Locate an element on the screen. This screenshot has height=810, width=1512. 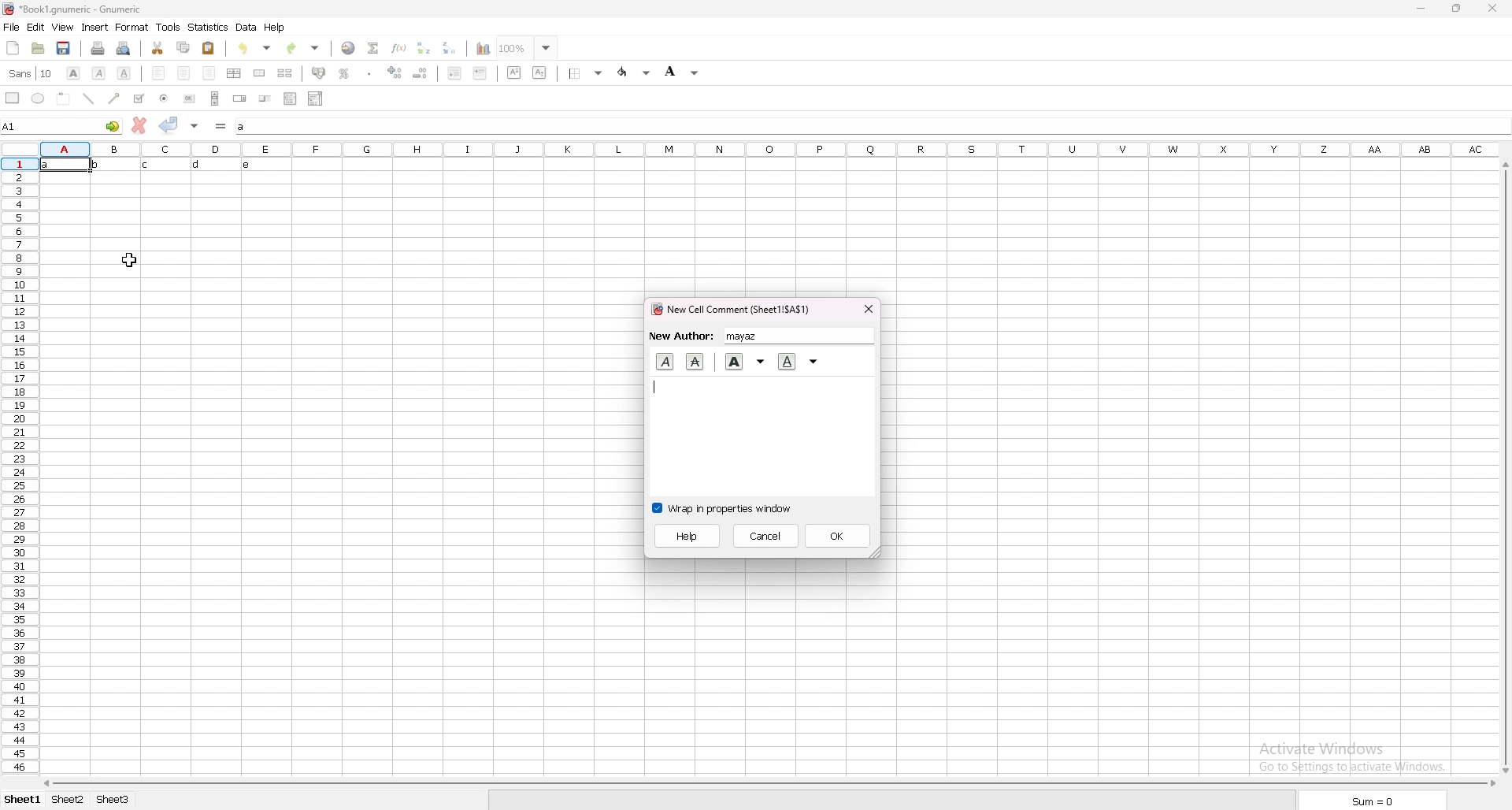
centre horizontally is located at coordinates (235, 74).